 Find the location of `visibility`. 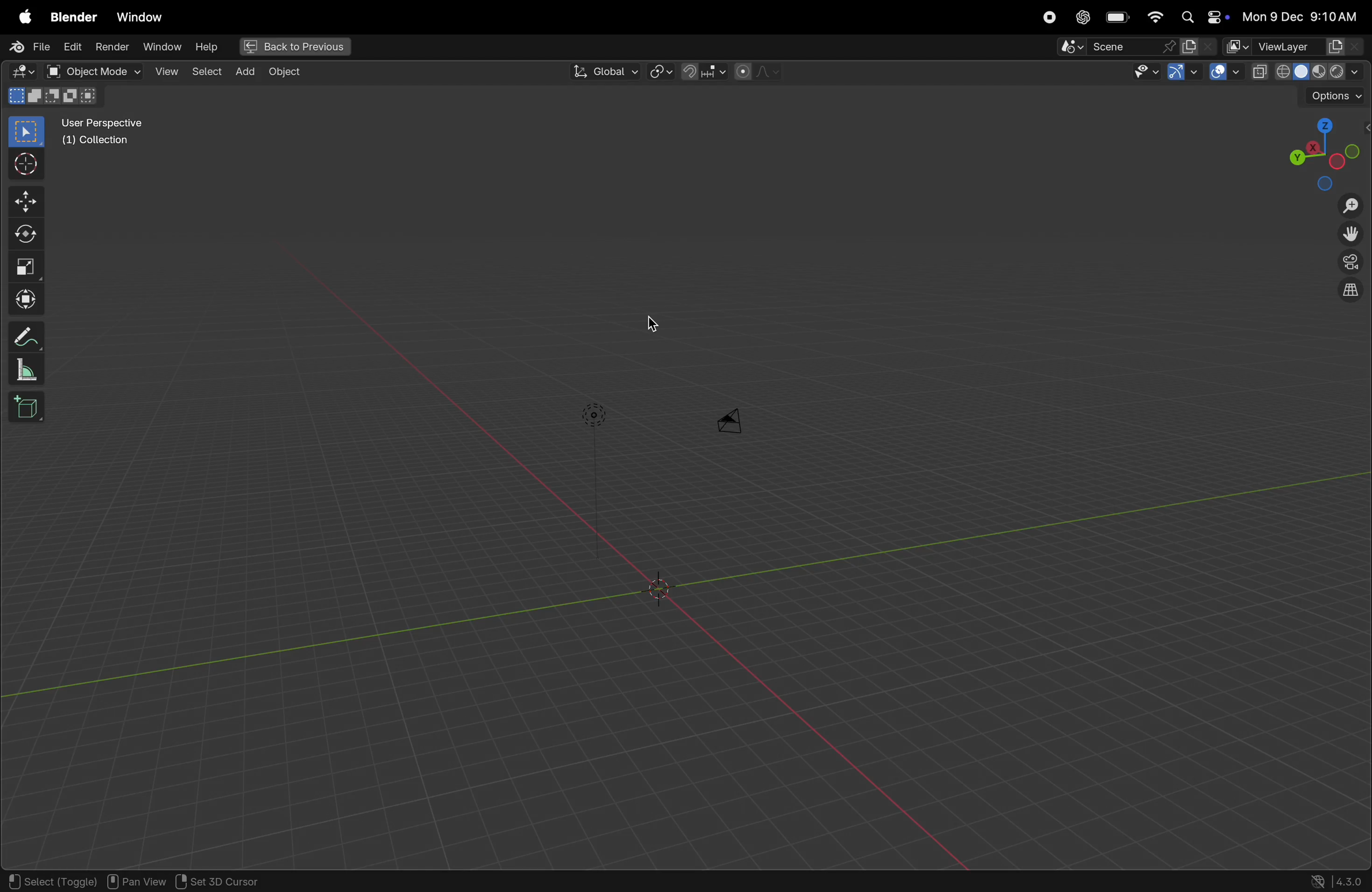

visibility is located at coordinates (1143, 73).